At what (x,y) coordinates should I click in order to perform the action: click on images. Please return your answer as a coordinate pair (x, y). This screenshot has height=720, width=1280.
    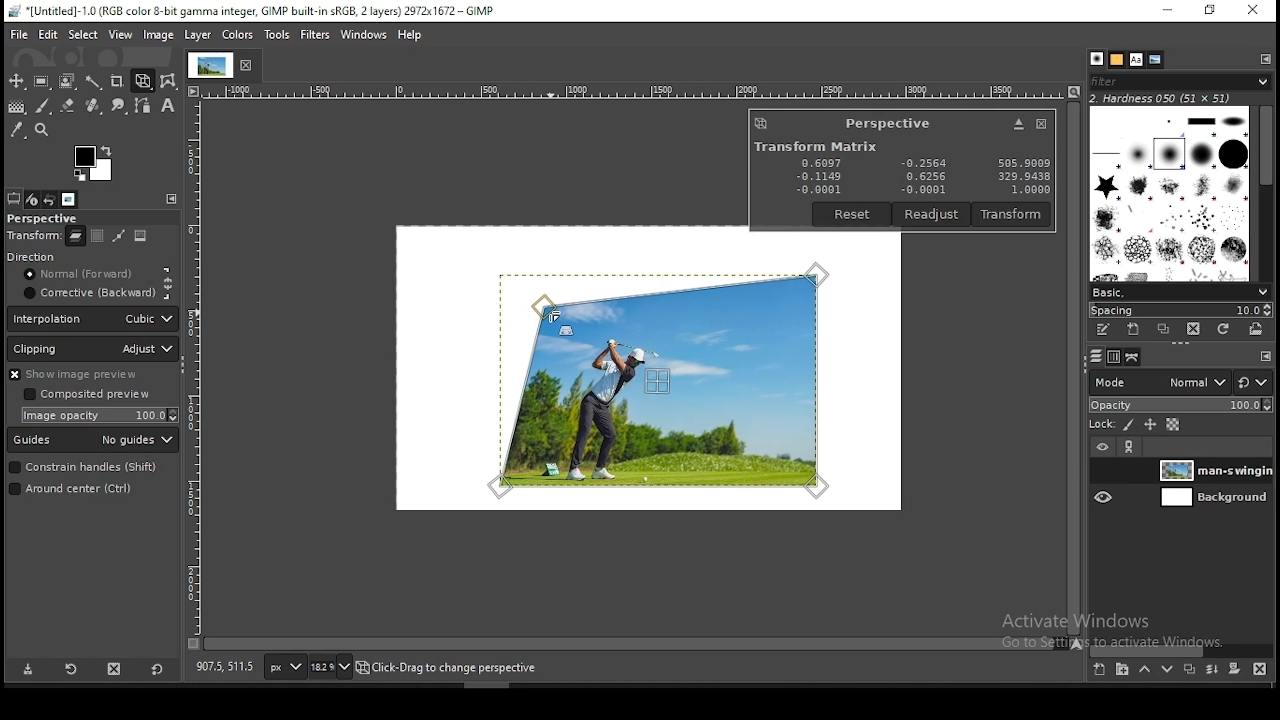
    Looking at the image, I should click on (69, 199).